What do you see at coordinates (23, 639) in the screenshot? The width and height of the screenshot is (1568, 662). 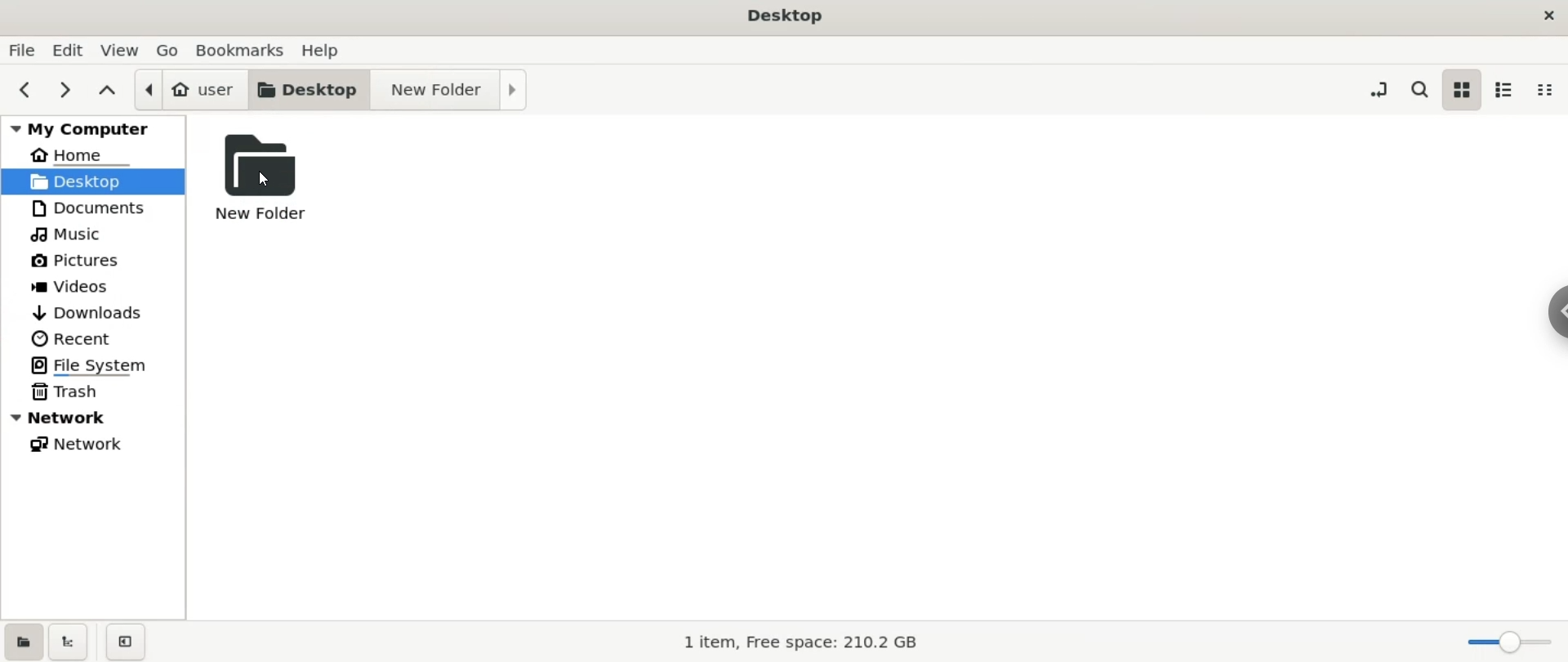 I see `show places` at bounding box center [23, 639].